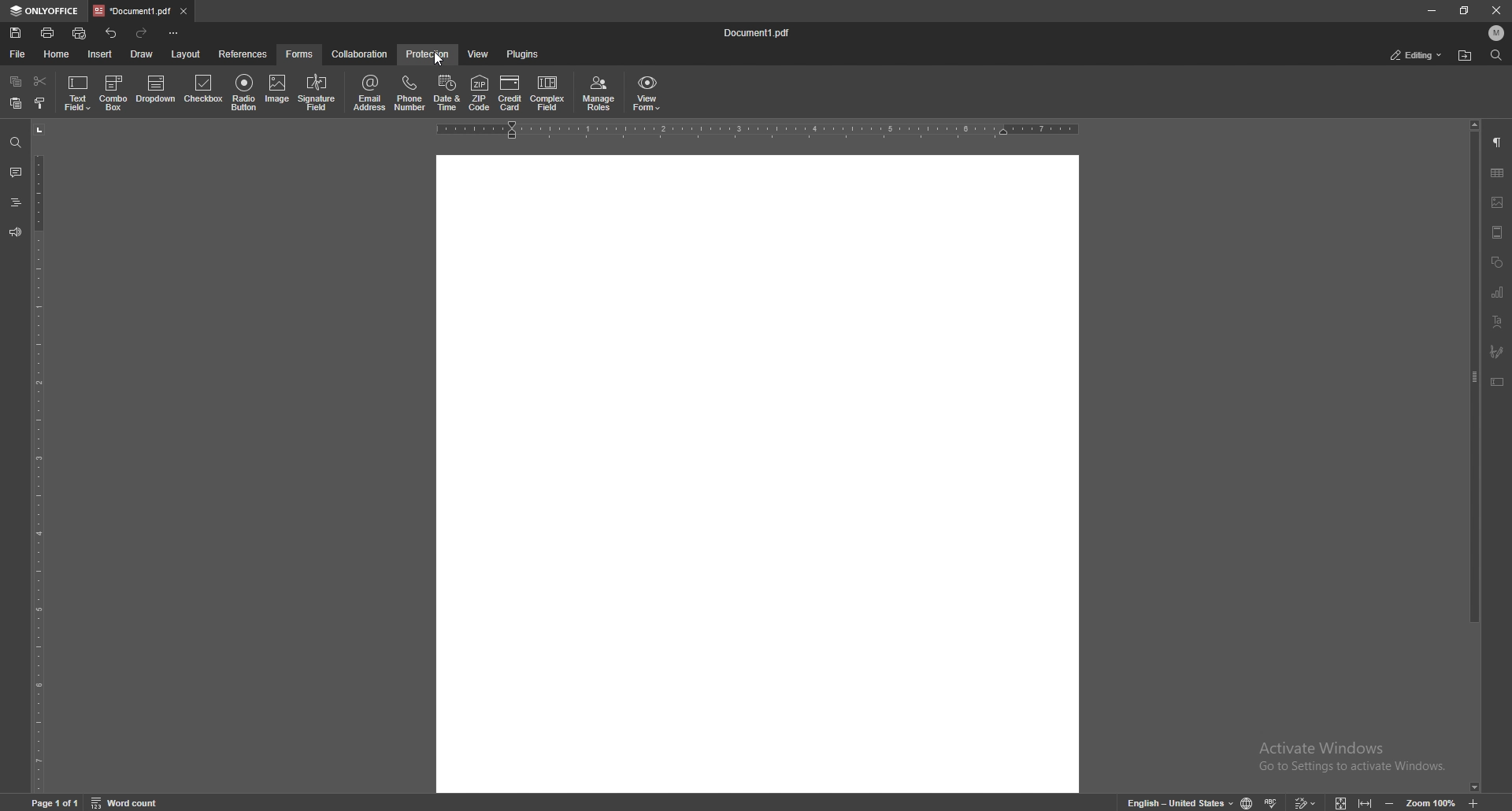 This screenshot has width=1512, height=811. I want to click on track changes, so click(1303, 801).